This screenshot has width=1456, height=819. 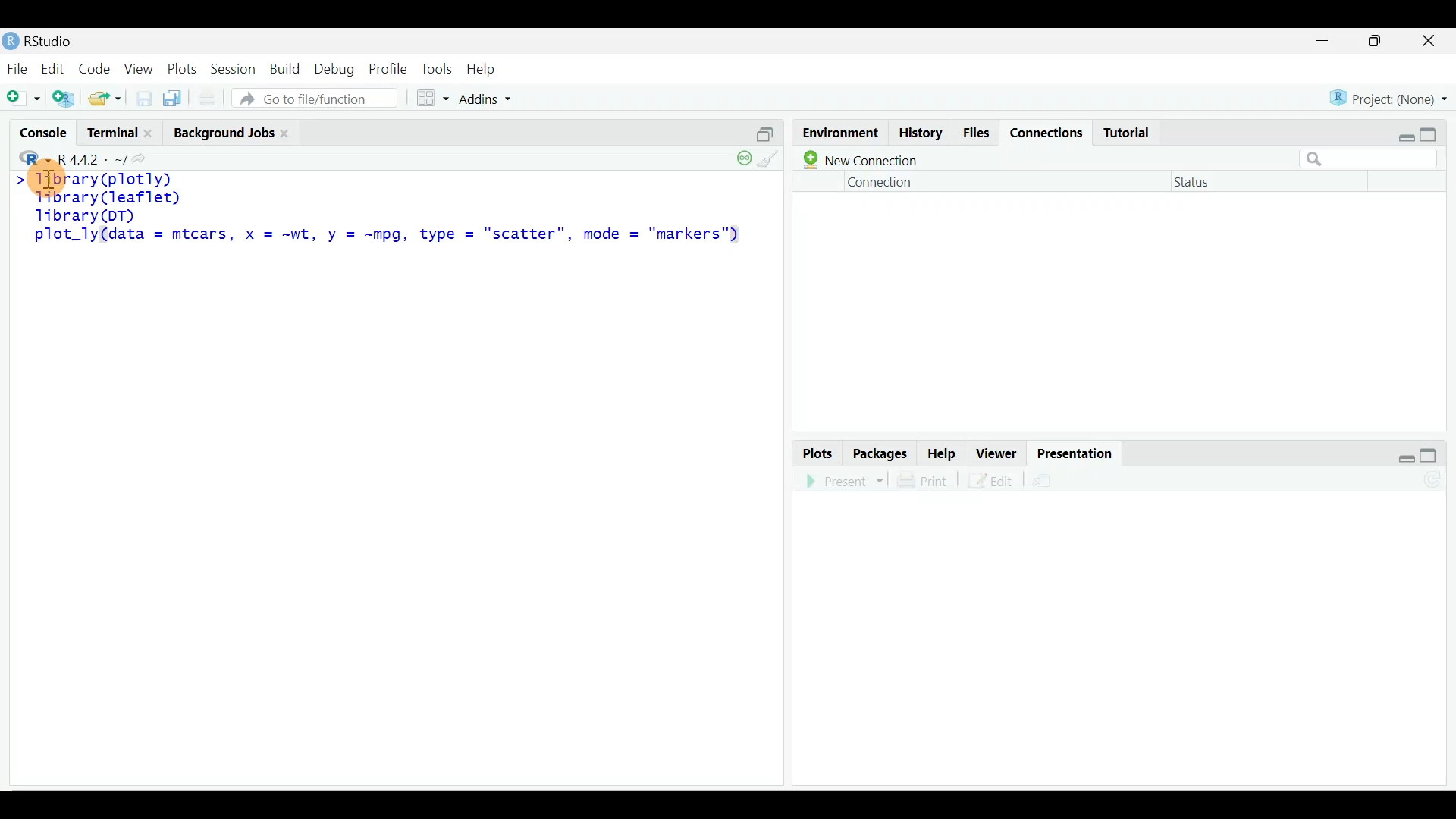 What do you see at coordinates (1200, 181) in the screenshot?
I see `Status` at bounding box center [1200, 181].